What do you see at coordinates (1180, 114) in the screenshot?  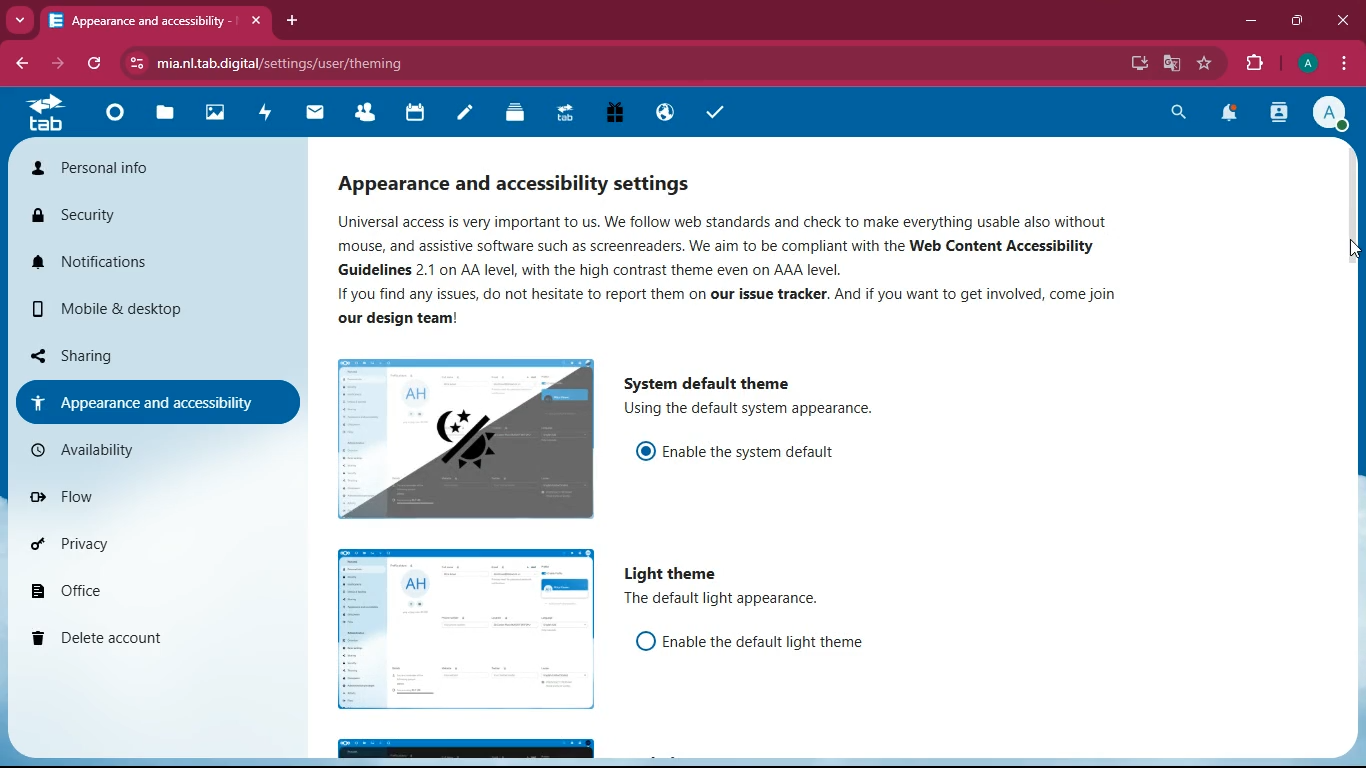 I see `search` at bounding box center [1180, 114].